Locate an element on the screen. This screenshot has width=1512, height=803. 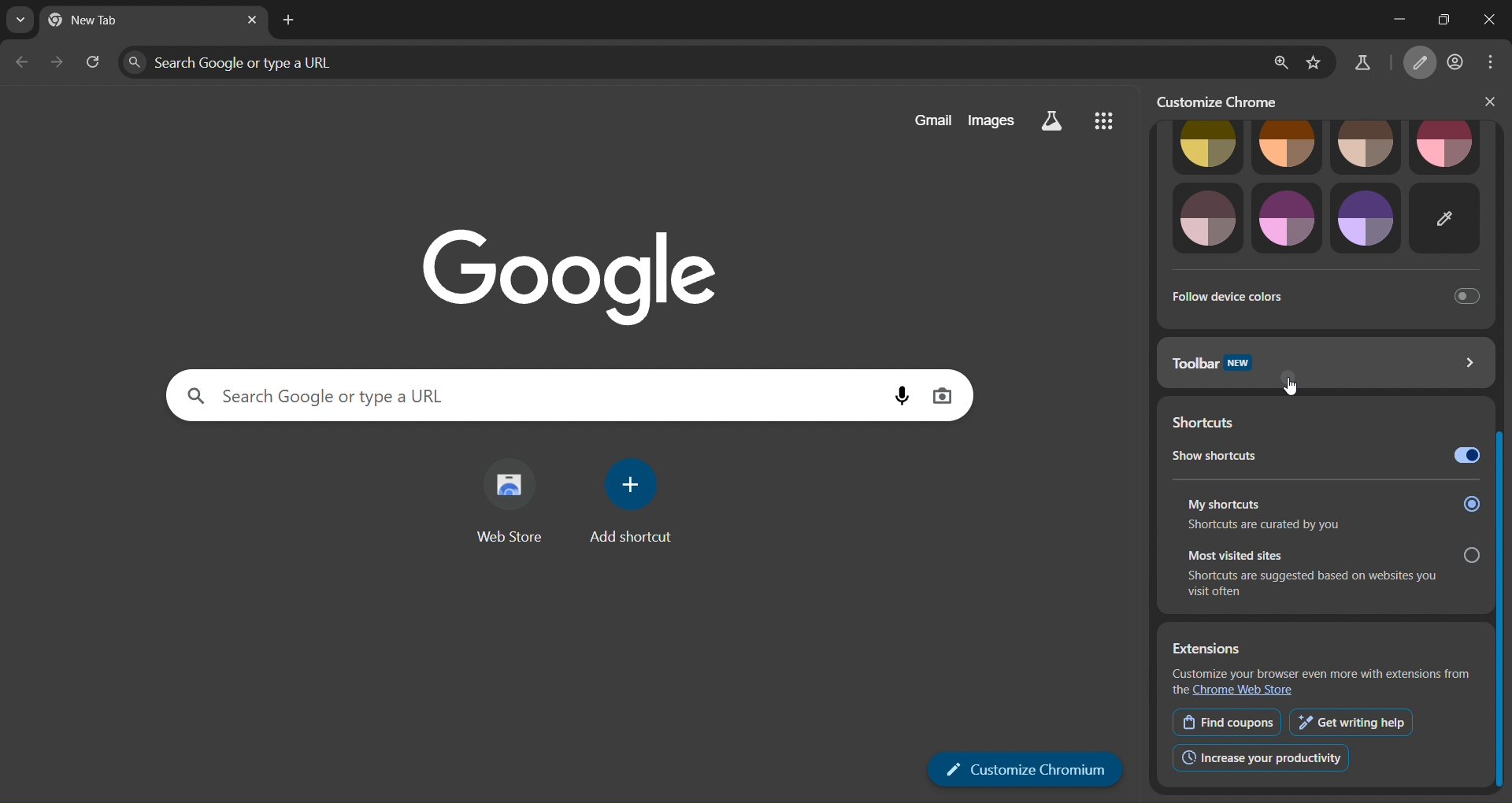
theme is located at coordinates (1288, 218).